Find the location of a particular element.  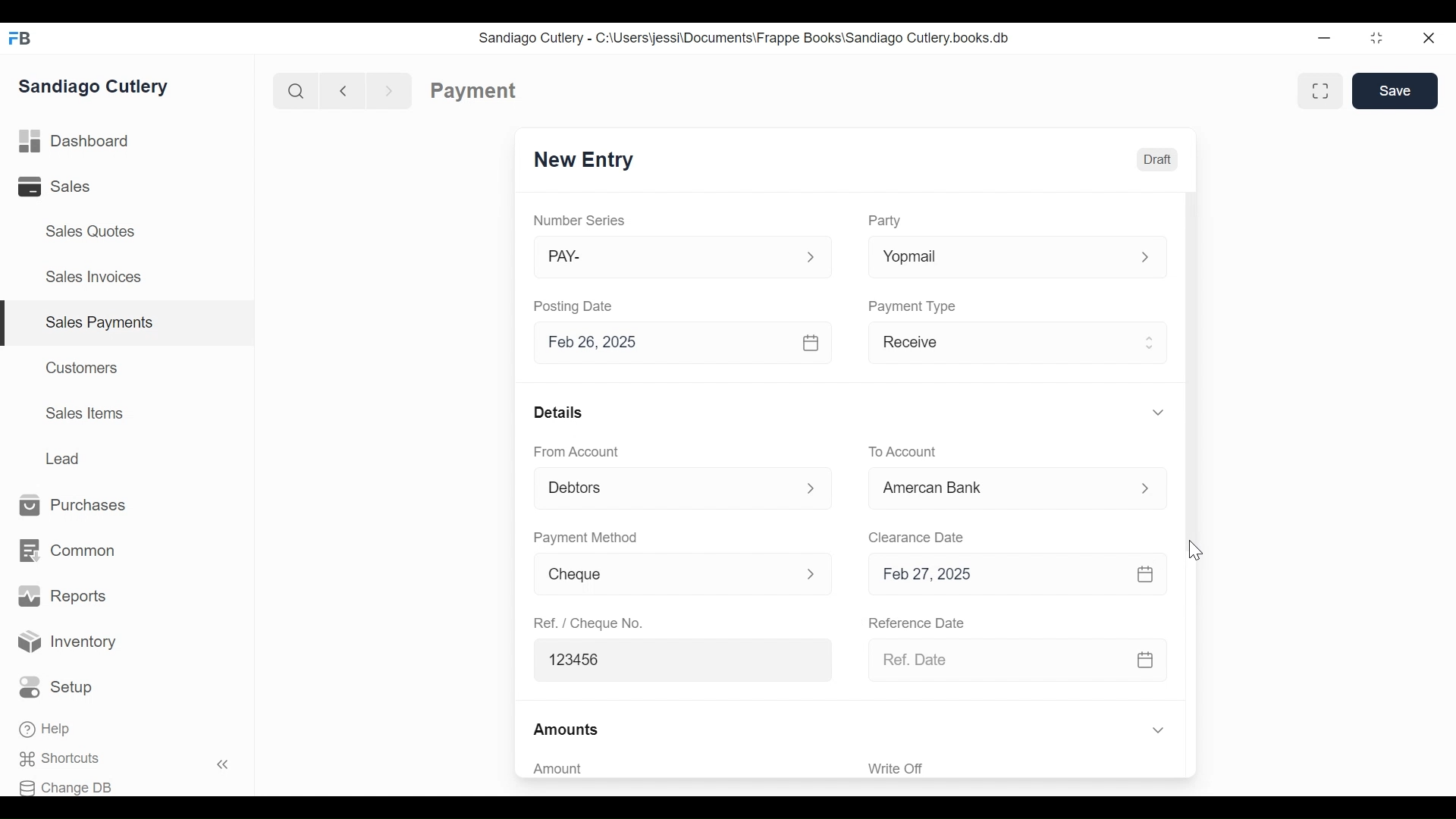

Clearance Date is located at coordinates (917, 538).